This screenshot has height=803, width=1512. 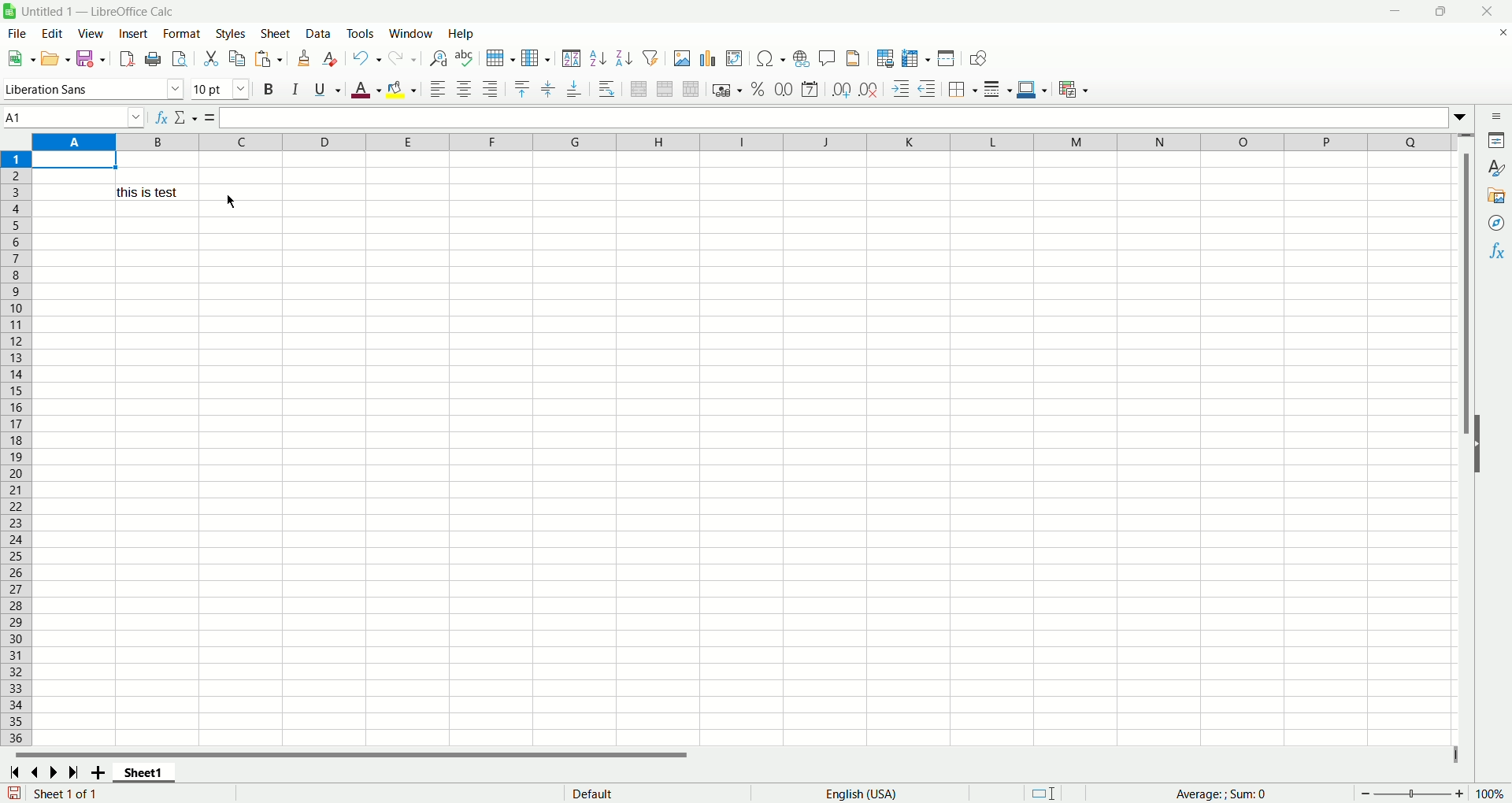 What do you see at coordinates (20, 58) in the screenshot?
I see `new` at bounding box center [20, 58].